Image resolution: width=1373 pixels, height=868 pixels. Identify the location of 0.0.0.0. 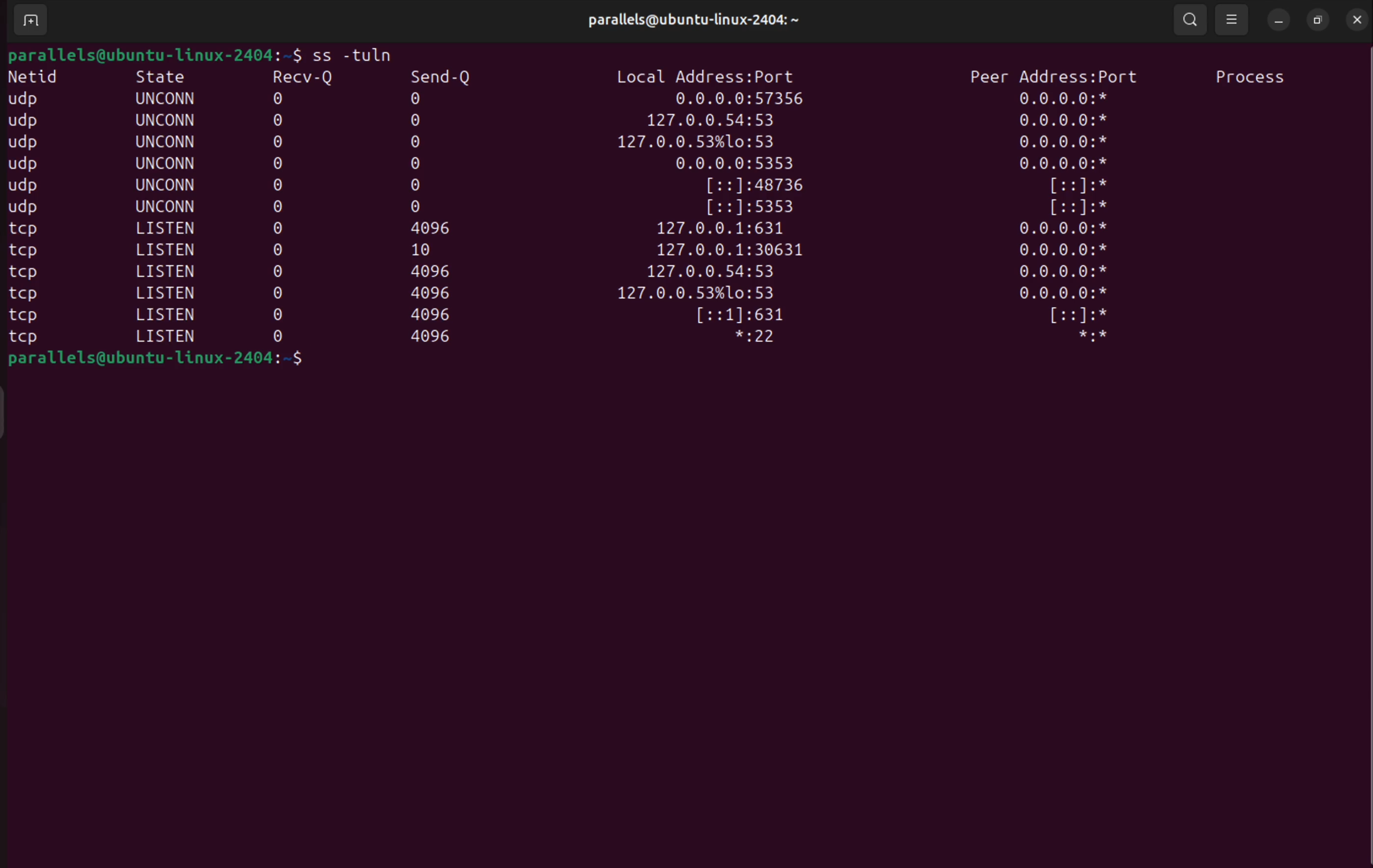
(1065, 121).